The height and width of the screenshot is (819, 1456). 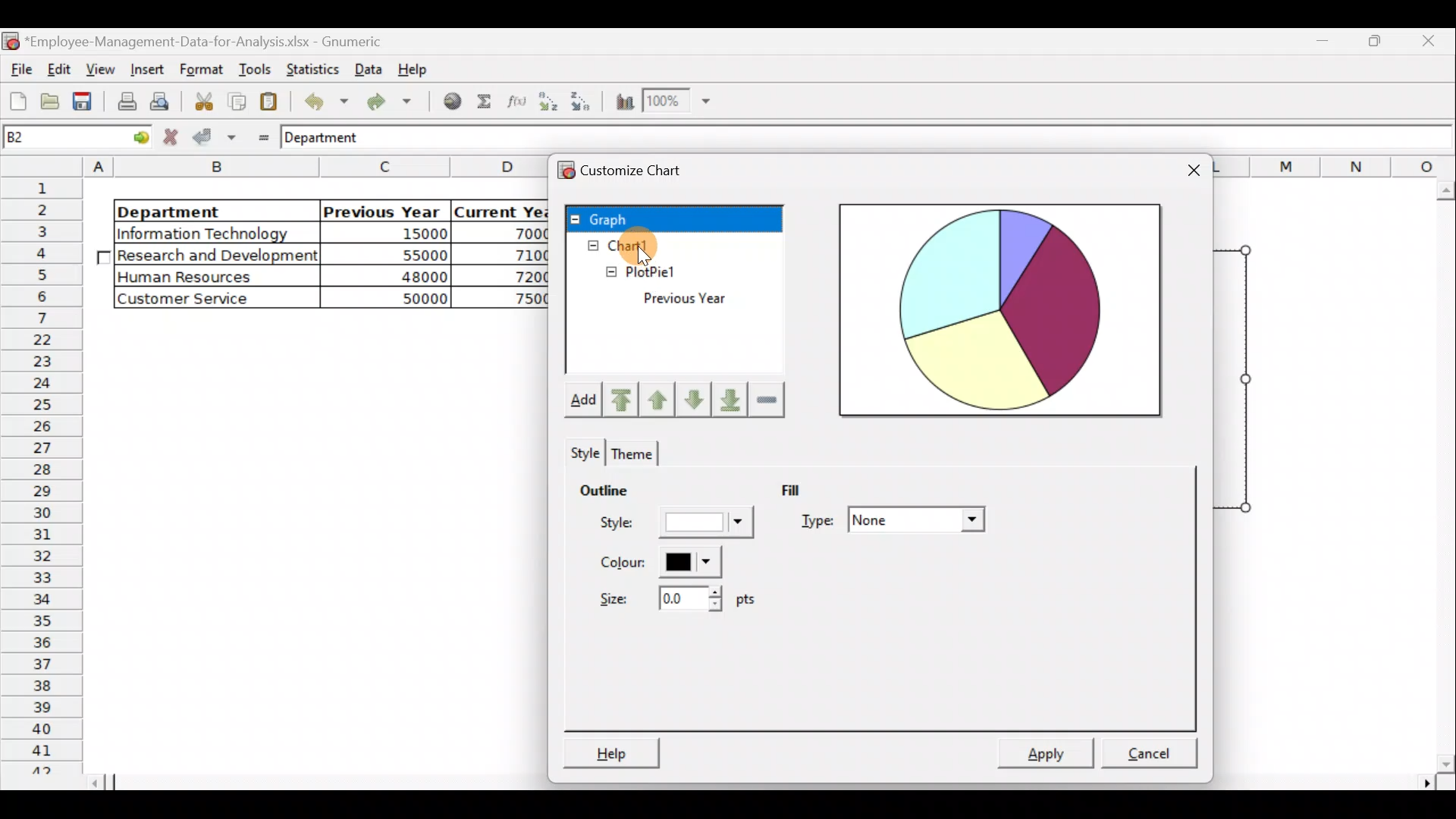 What do you see at coordinates (203, 99) in the screenshot?
I see `Cut the selection` at bounding box center [203, 99].